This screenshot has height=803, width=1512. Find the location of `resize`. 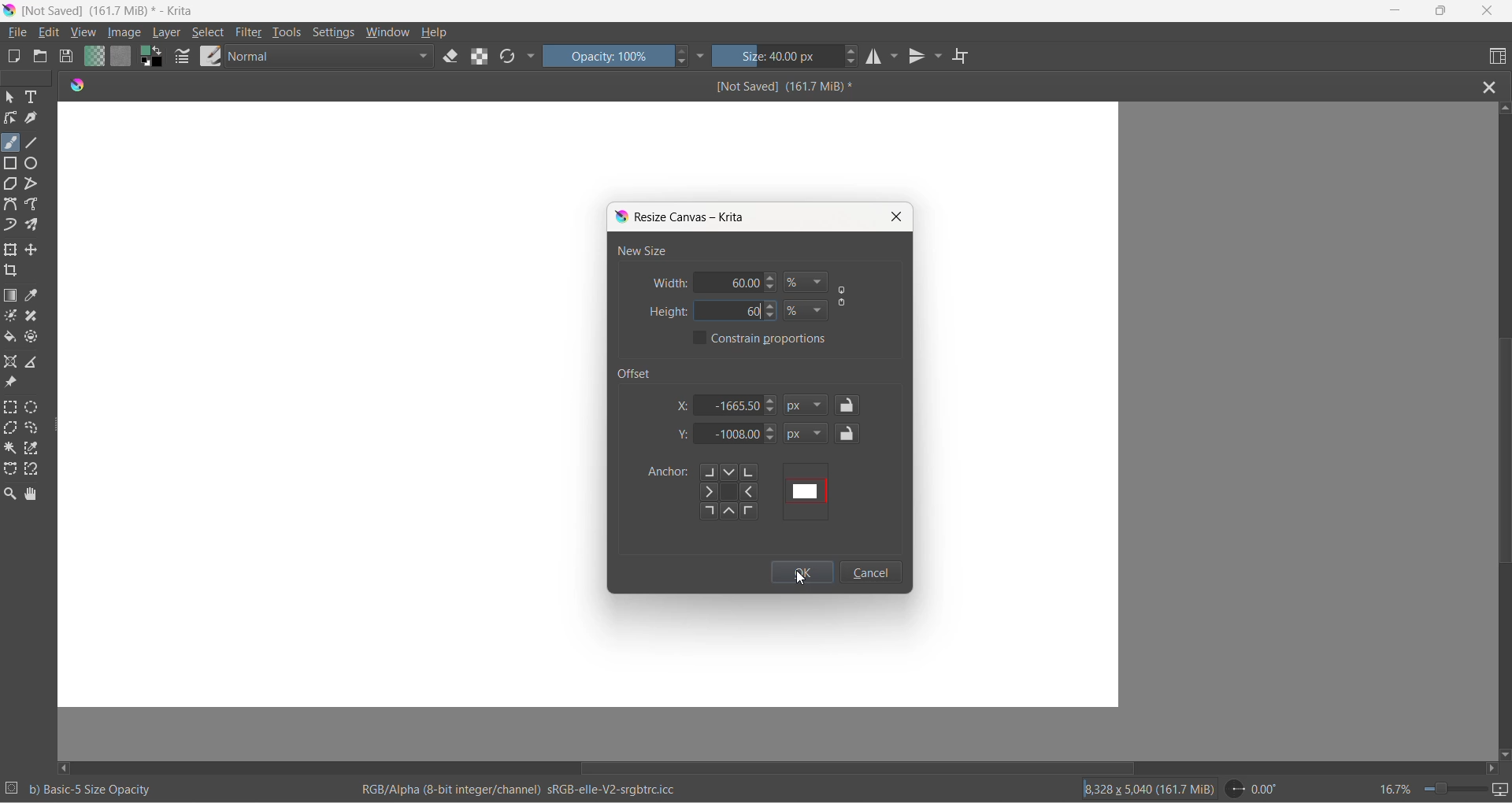

resize is located at coordinates (58, 428).